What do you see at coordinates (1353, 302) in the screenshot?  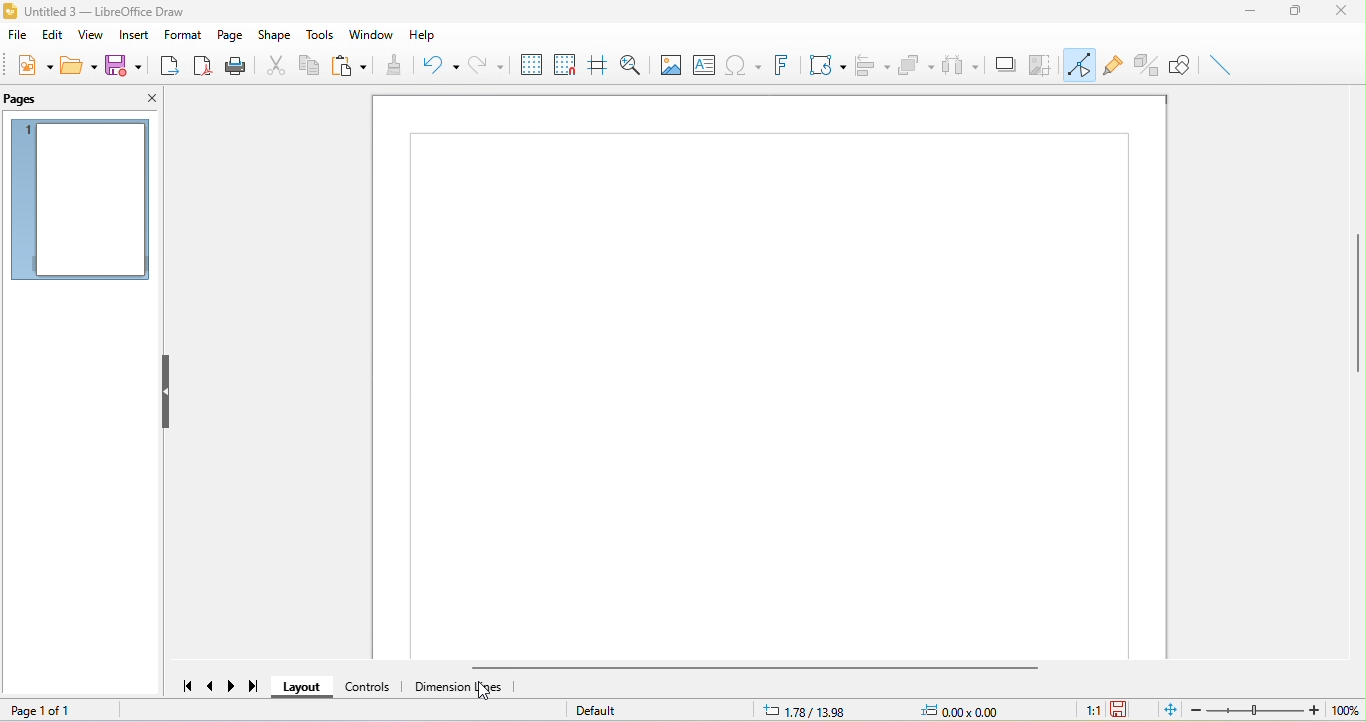 I see `vertical scroll bar` at bounding box center [1353, 302].